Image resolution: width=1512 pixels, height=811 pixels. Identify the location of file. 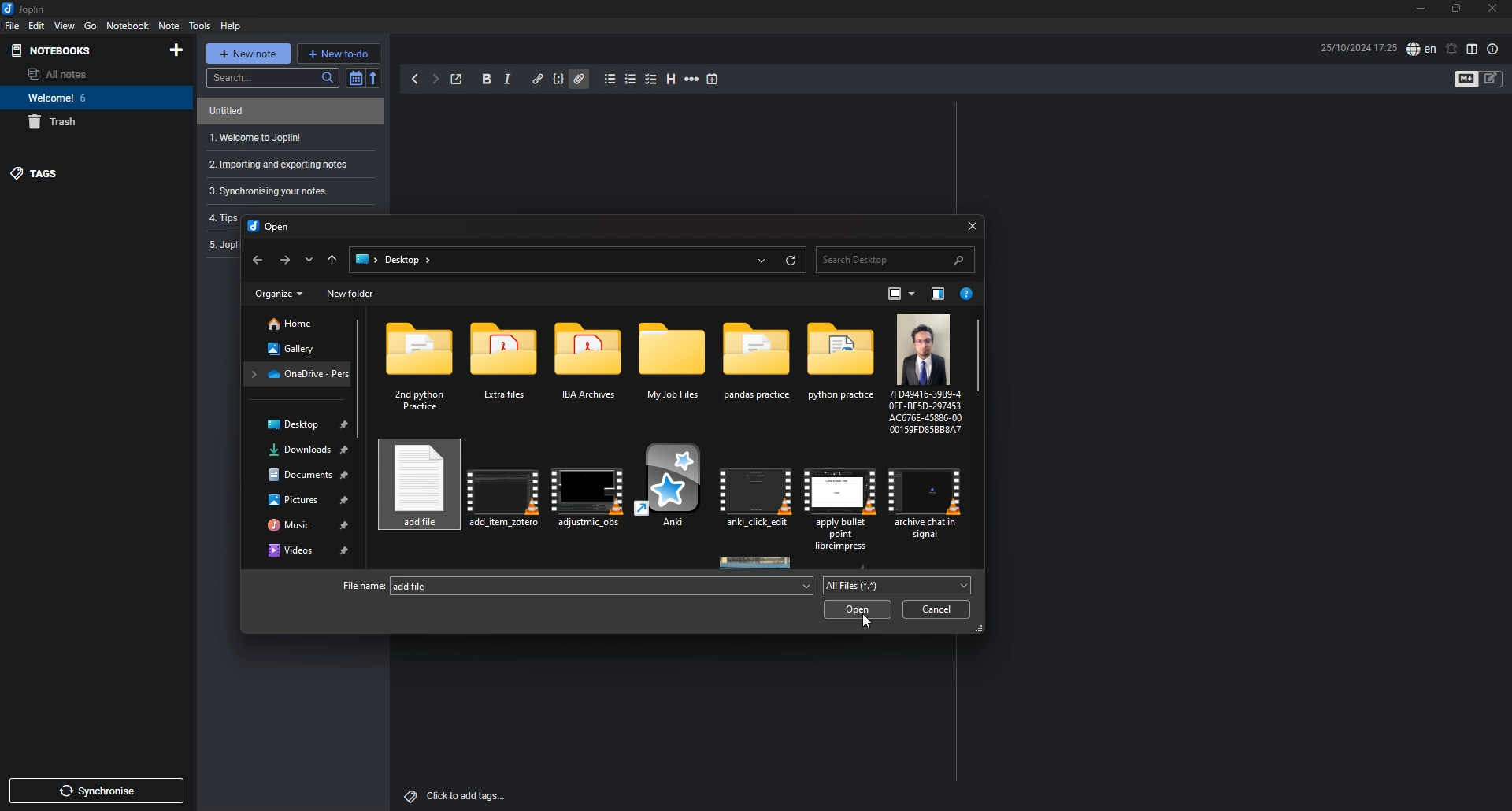
(928, 498).